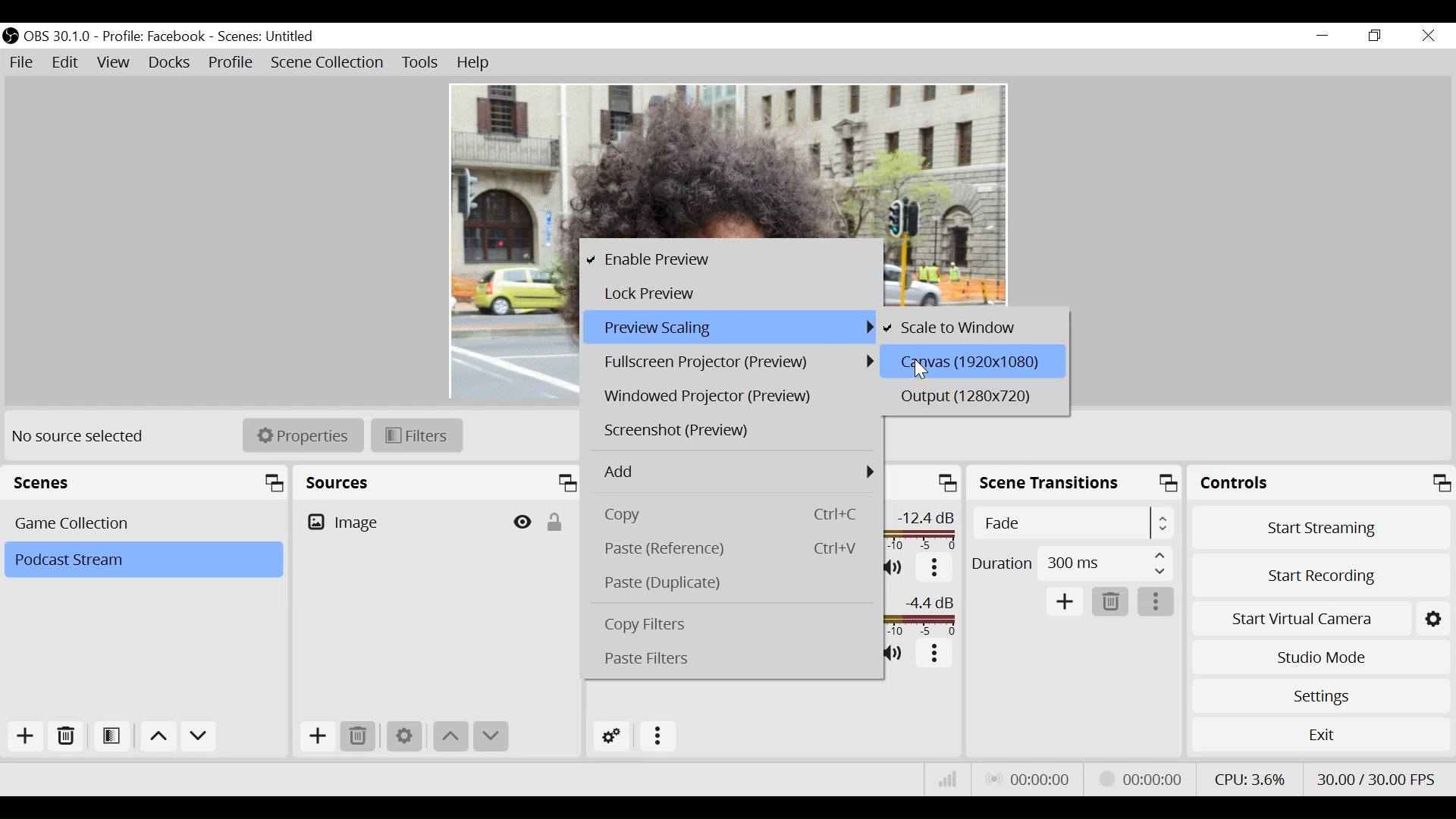 The height and width of the screenshot is (819, 1456). What do you see at coordinates (730, 397) in the screenshot?
I see `Windowed Projector Preview` at bounding box center [730, 397].